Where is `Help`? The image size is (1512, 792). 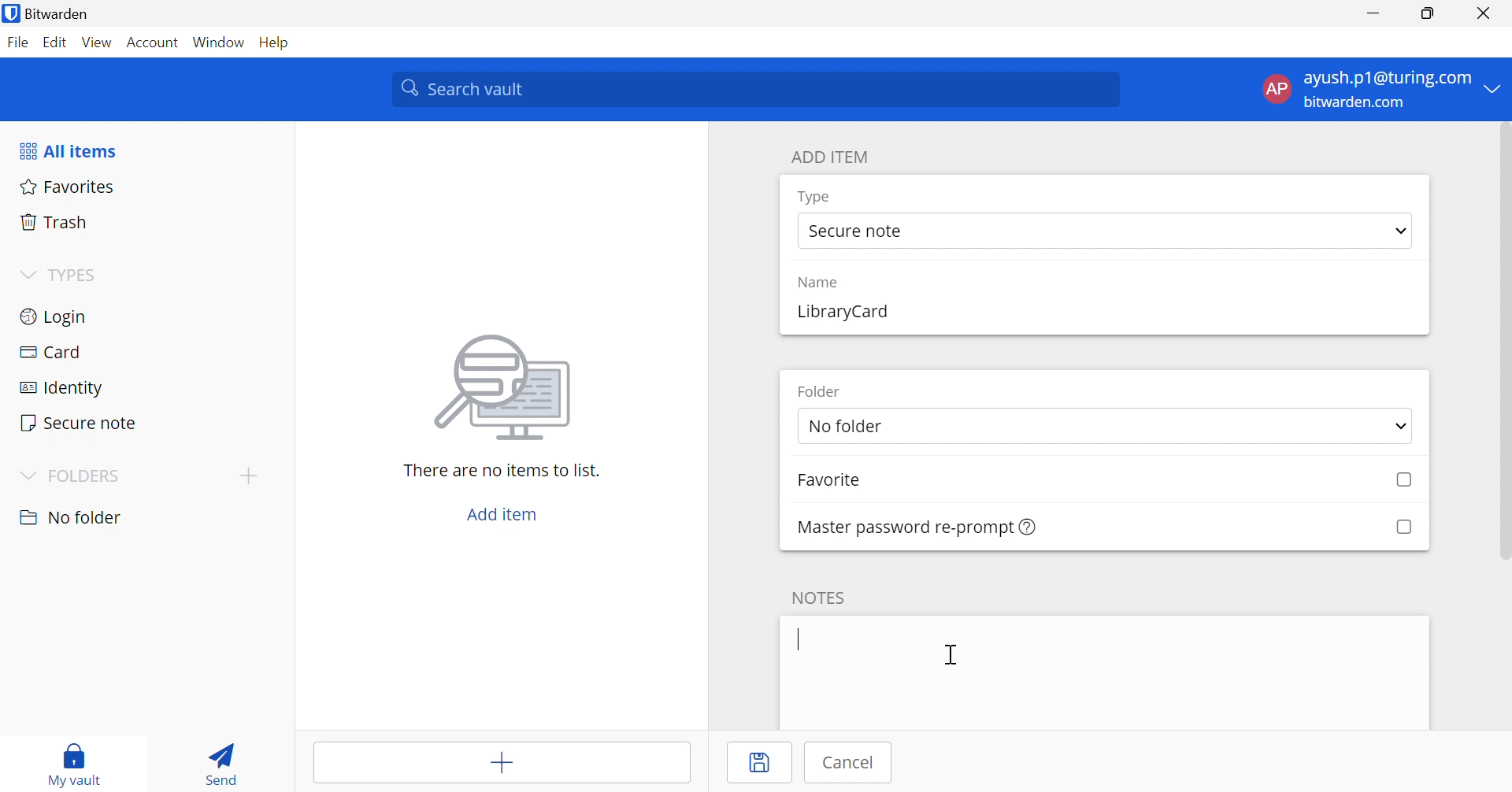 Help is located at coordinates (281, 43).